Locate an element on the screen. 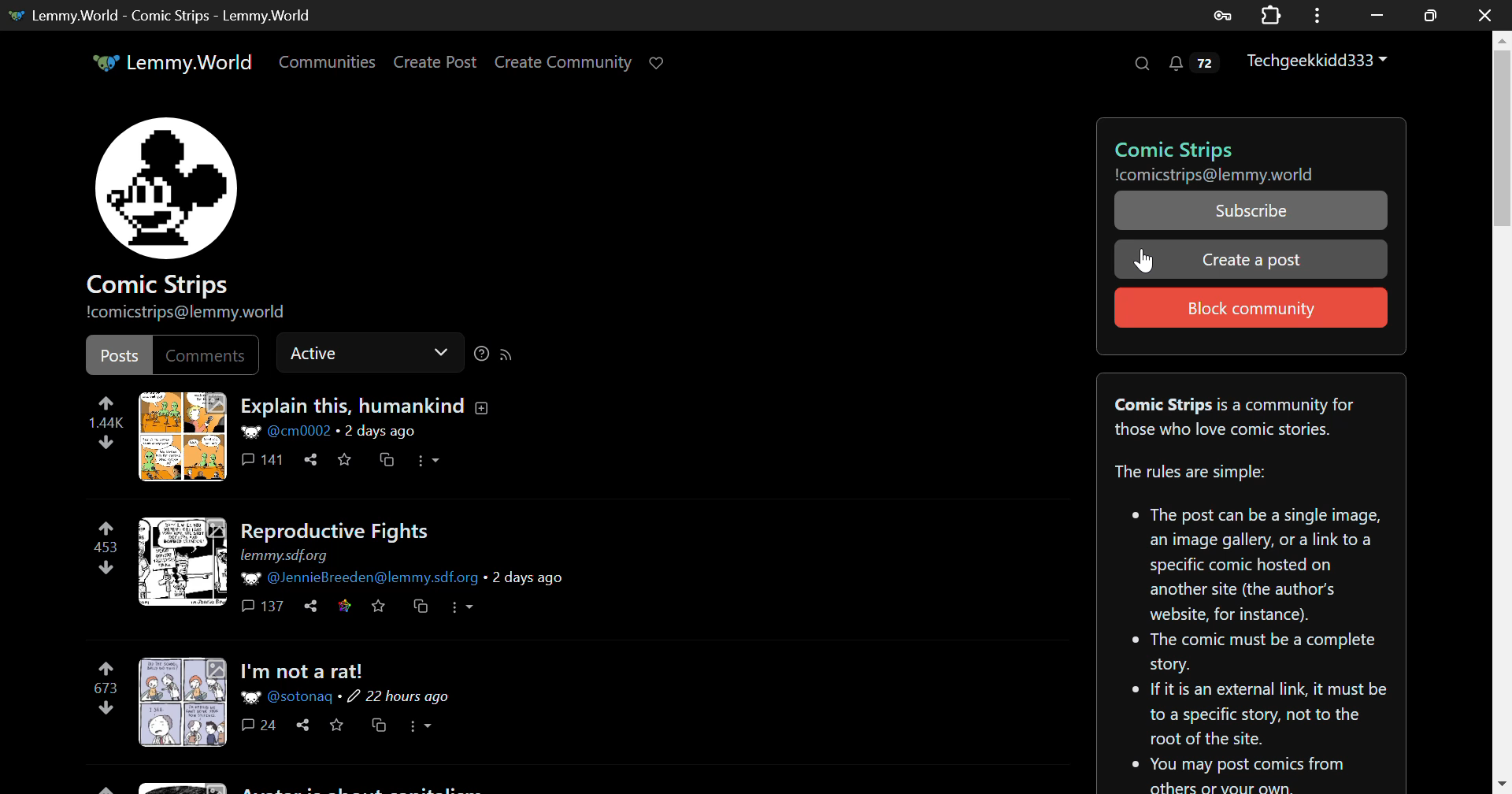  Donate is located at coordinates (661, 61).